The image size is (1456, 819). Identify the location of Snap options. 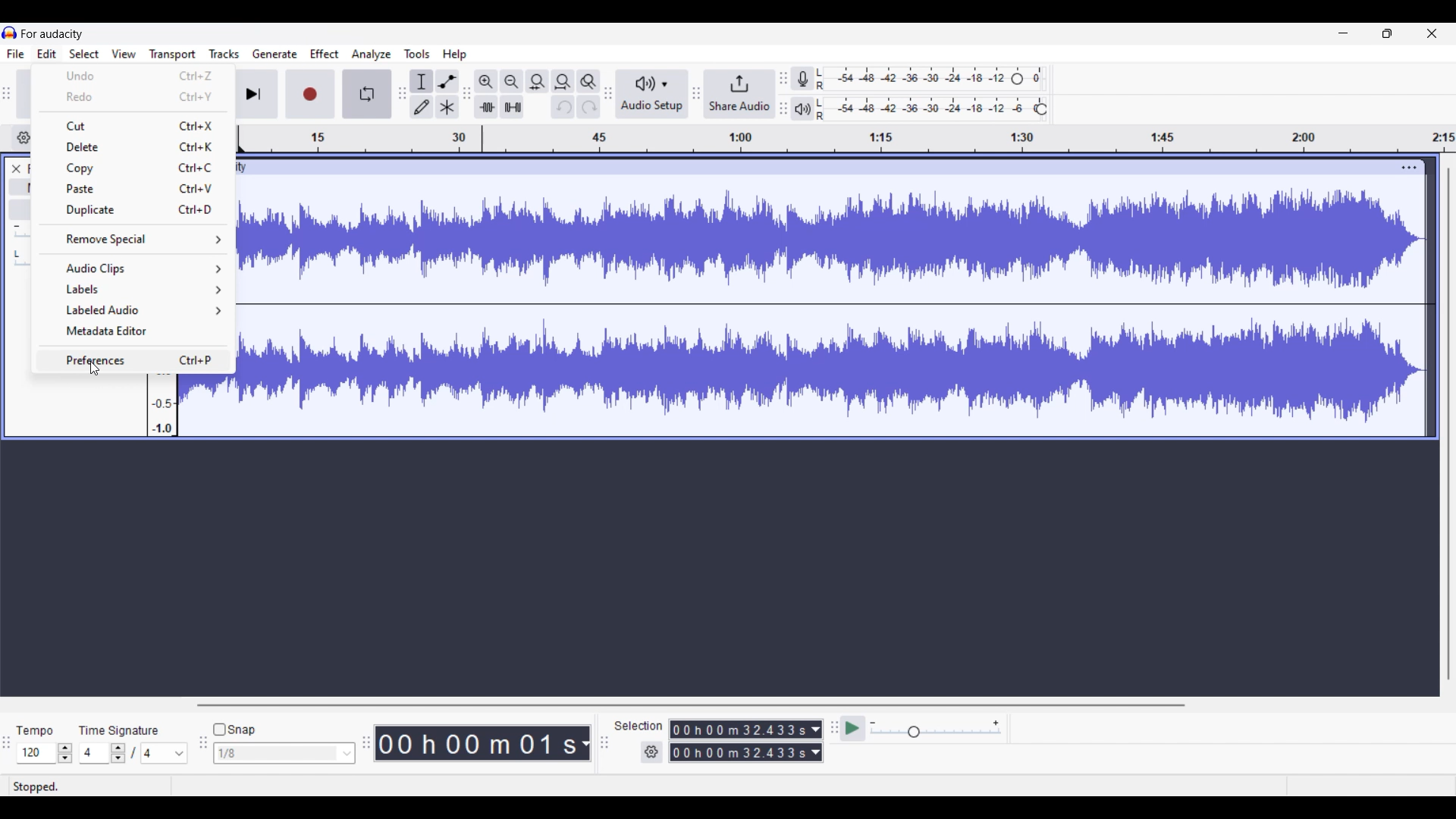
(284, 753).